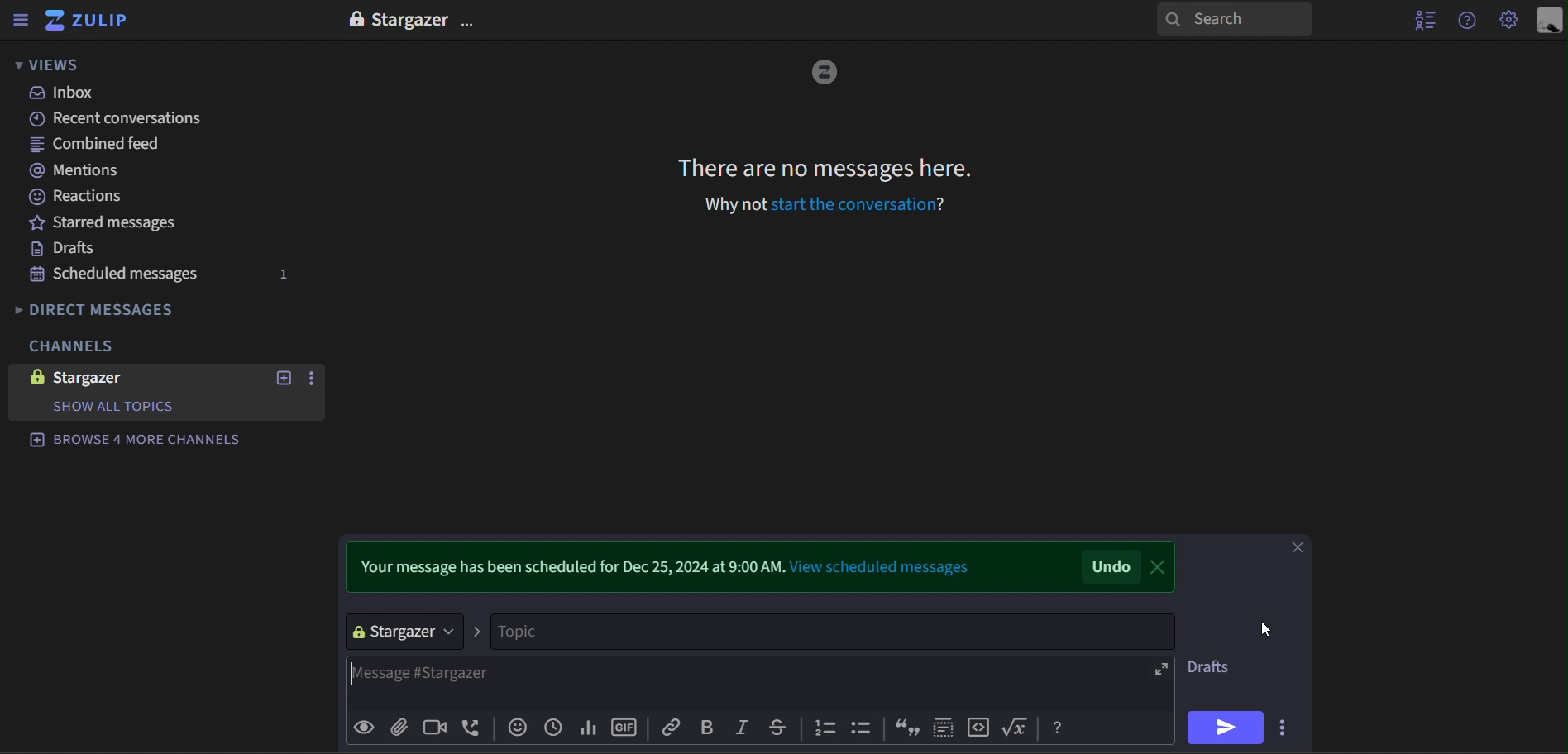 This screenshot has width=1568, height=754. Describe the element at coordinates (1268, 631) in the screenshot. I see `cursor` at that location.